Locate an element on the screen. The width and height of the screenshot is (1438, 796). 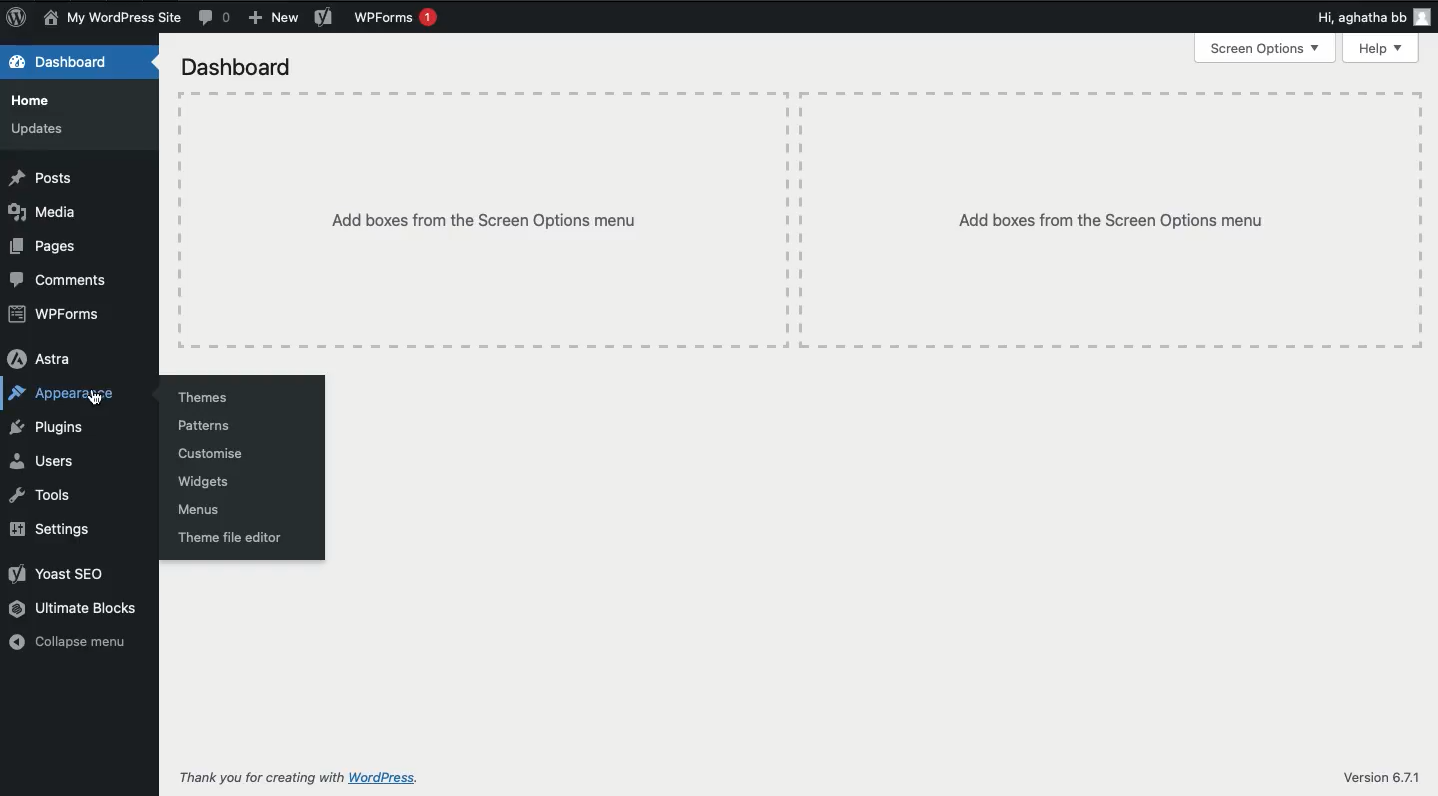
Comments is located at coordinates (215, 18).